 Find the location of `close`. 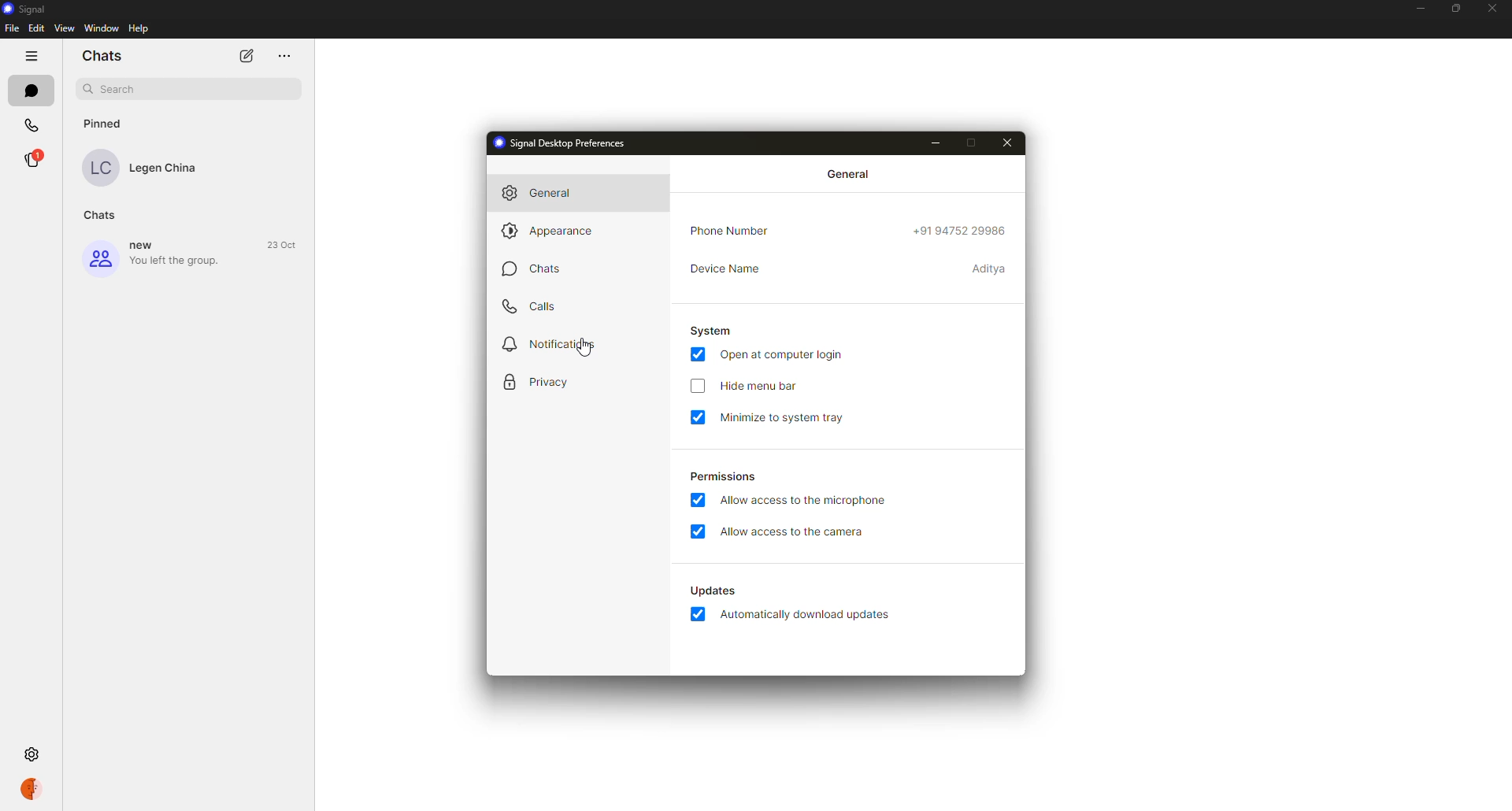

close is located at coordinates (1006, 143).